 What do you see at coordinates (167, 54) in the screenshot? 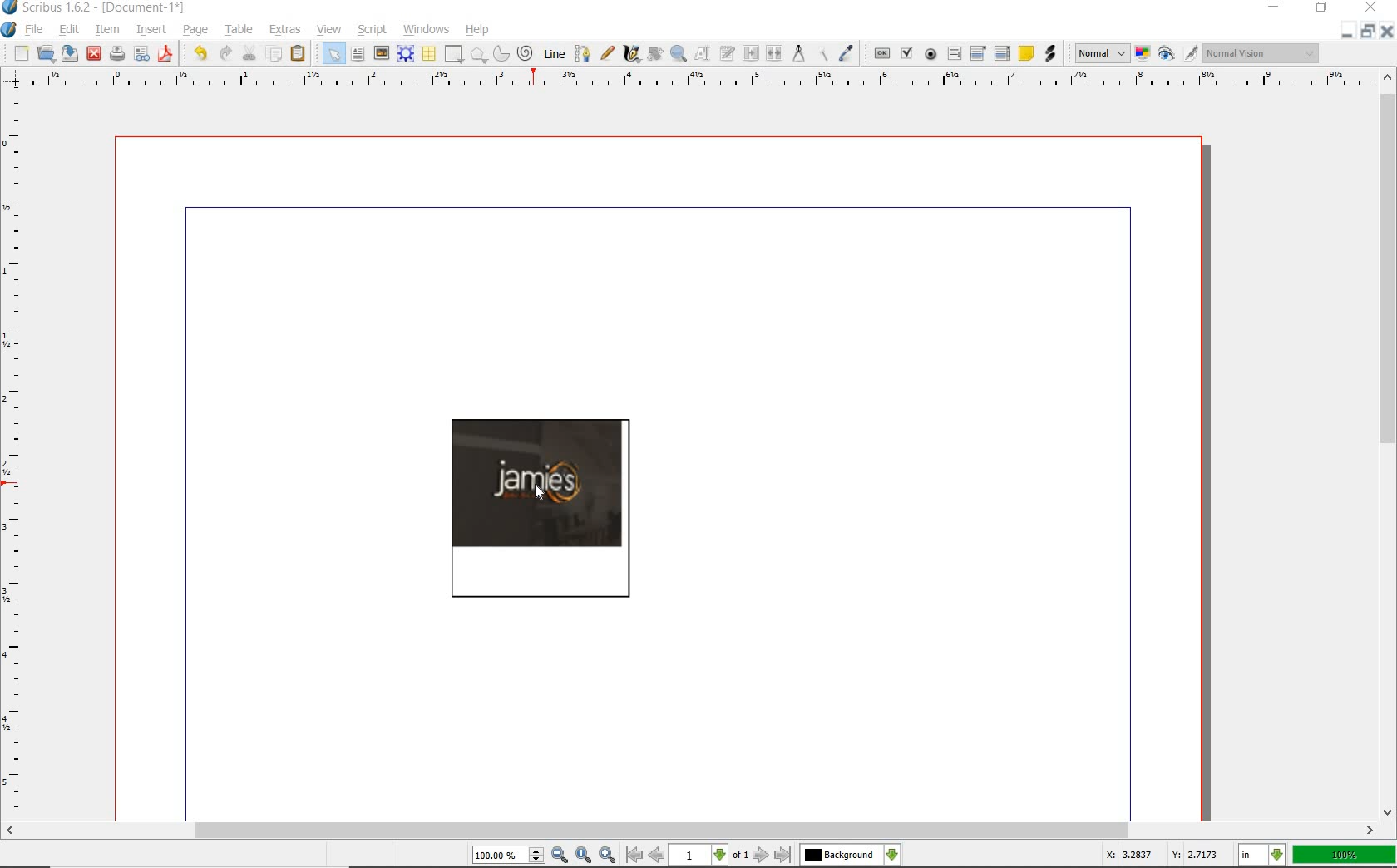
I see `SAVE AS pdf` at bounding box center [167, 54].